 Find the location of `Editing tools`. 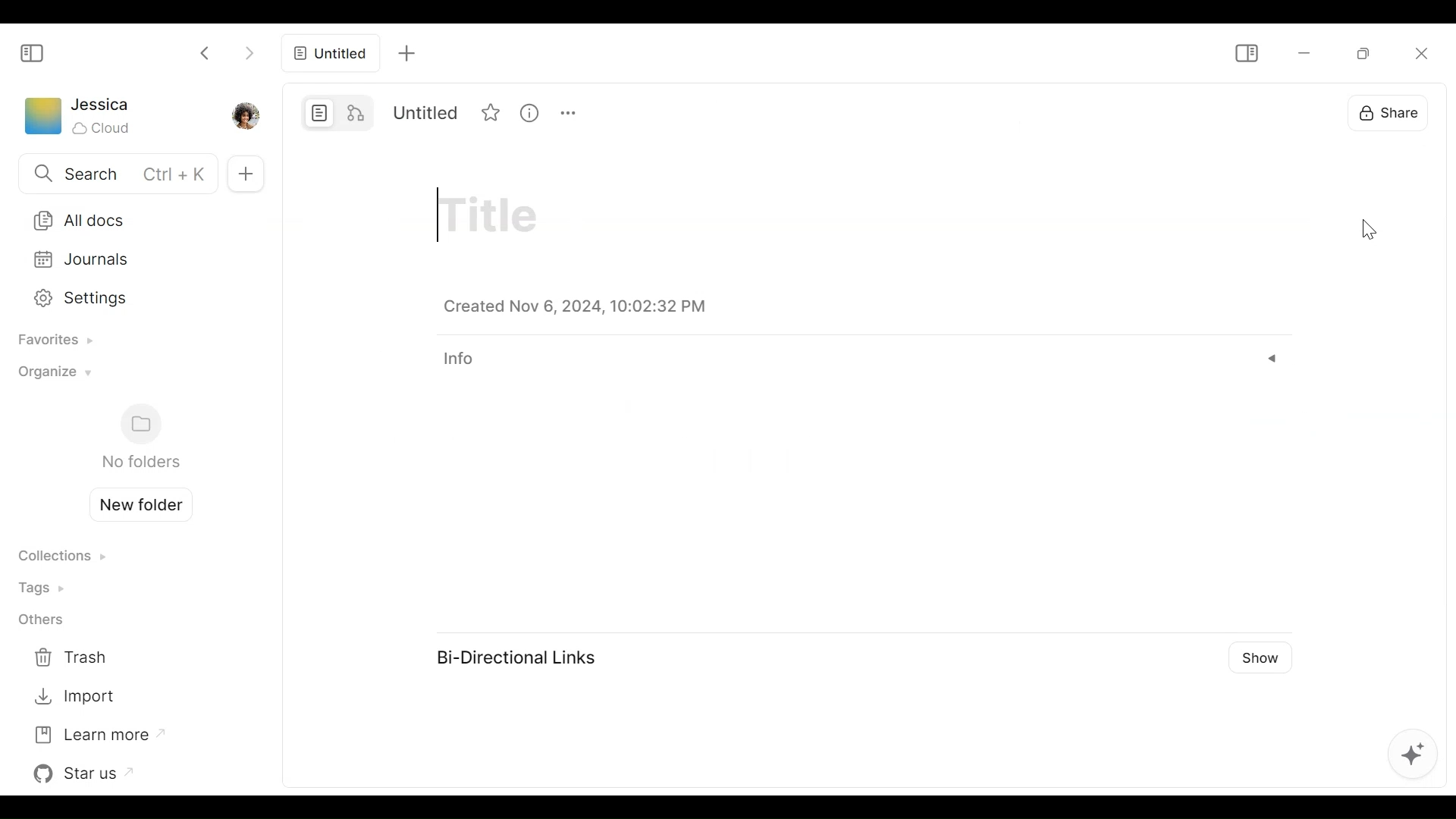

Editing tools is located at coordinates (1411, 755).